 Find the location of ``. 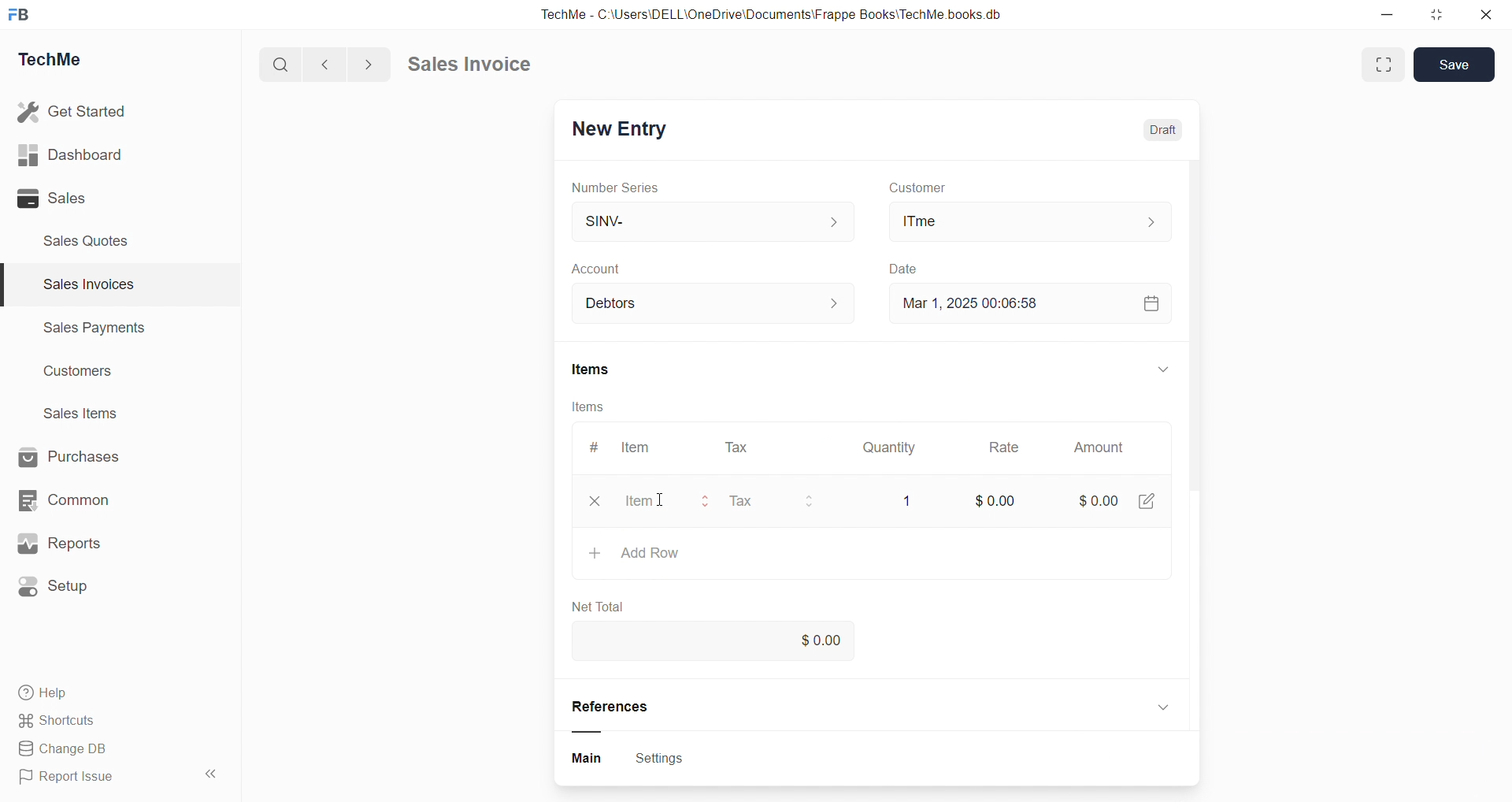

 is located at coordinates (587, 759).